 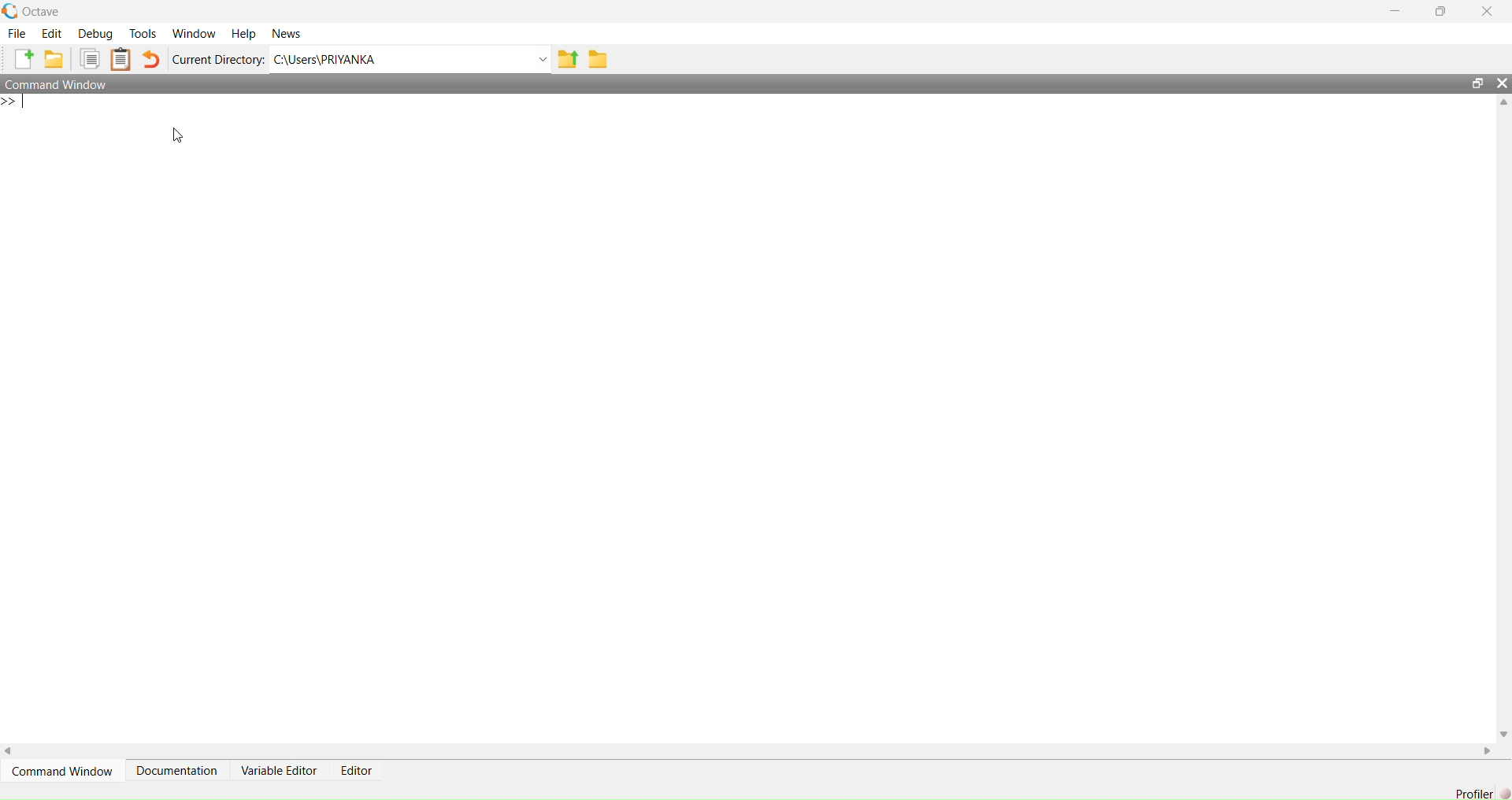 What do you see at coordinates (66, 772) in the screenshot?
I see `Command Window` at bounding box center [66, 772].